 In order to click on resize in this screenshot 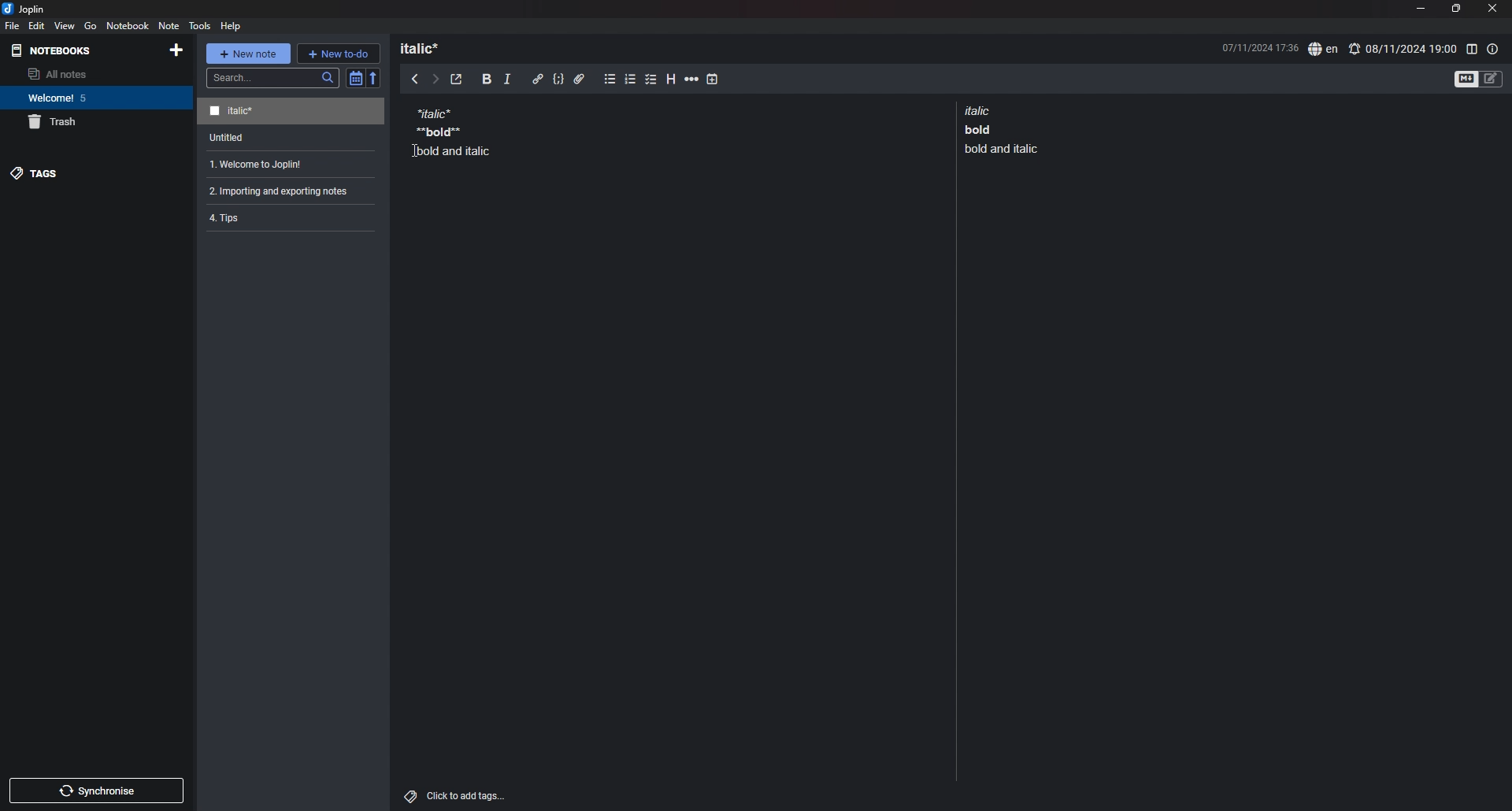, I will do `click(1455, 9)`.